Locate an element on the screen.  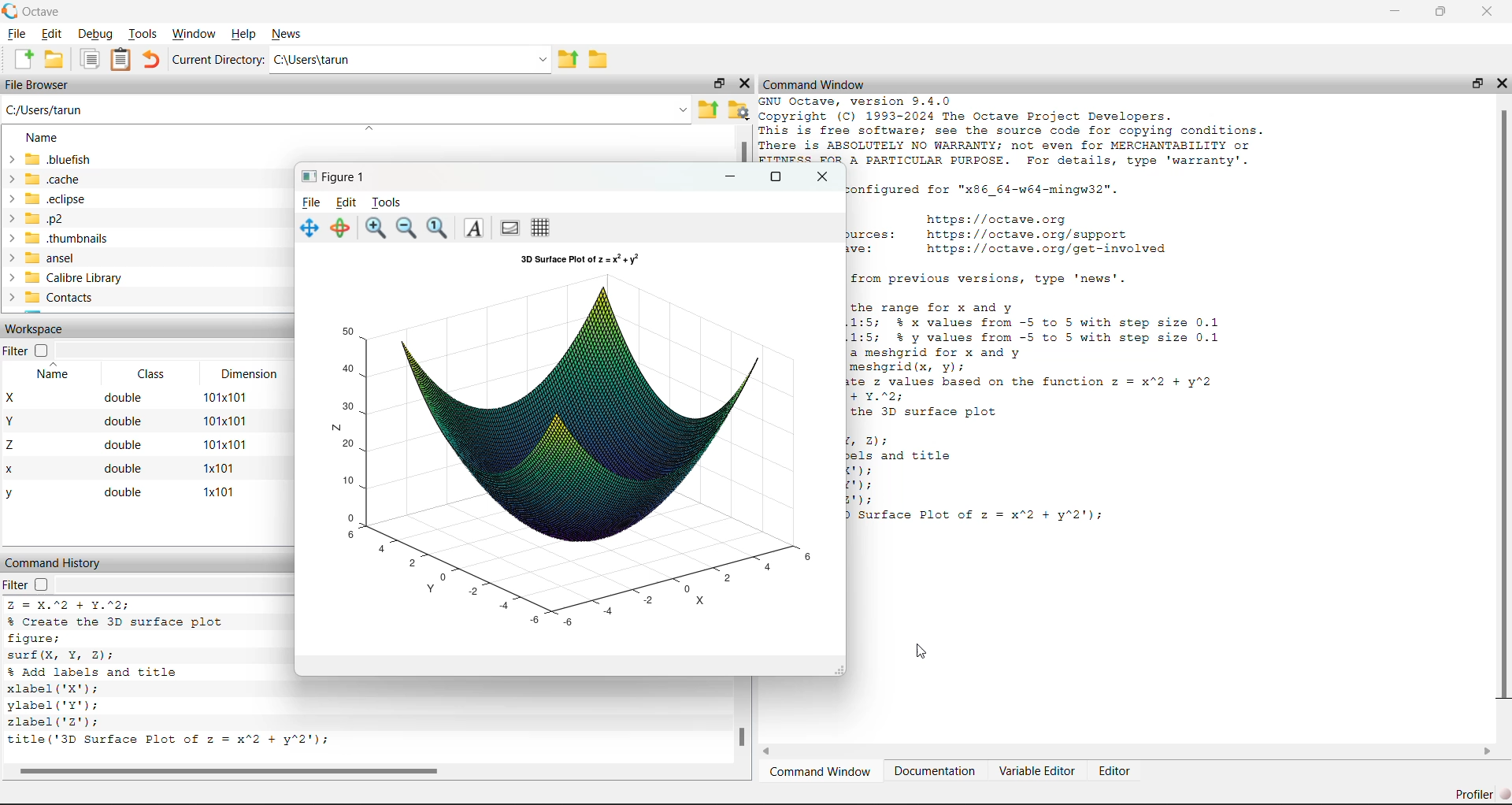
bluefish is located at coordinates (49, 161).